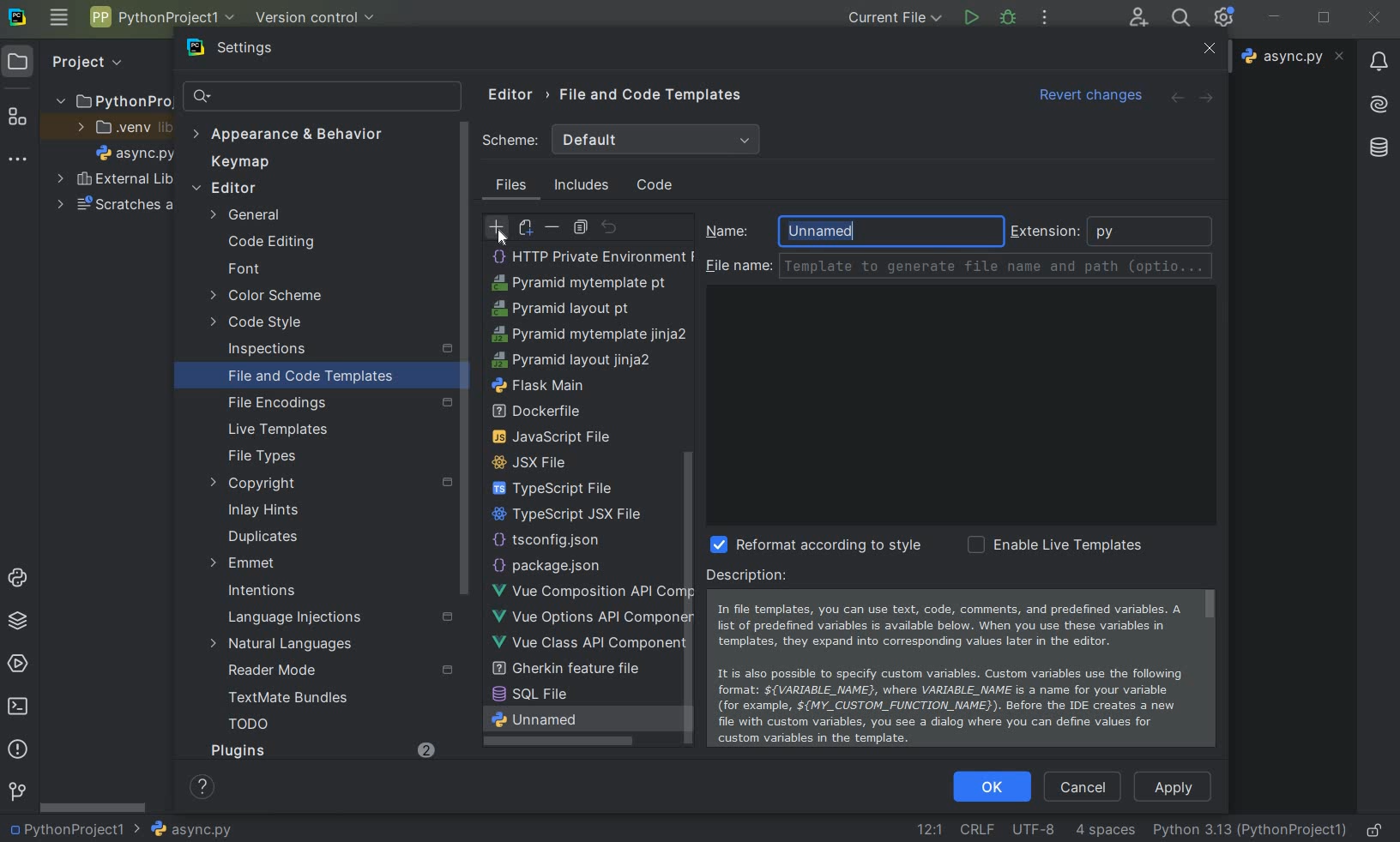 The image size is (1400, 842). I want to click on file and code templates, so click(329, 375).